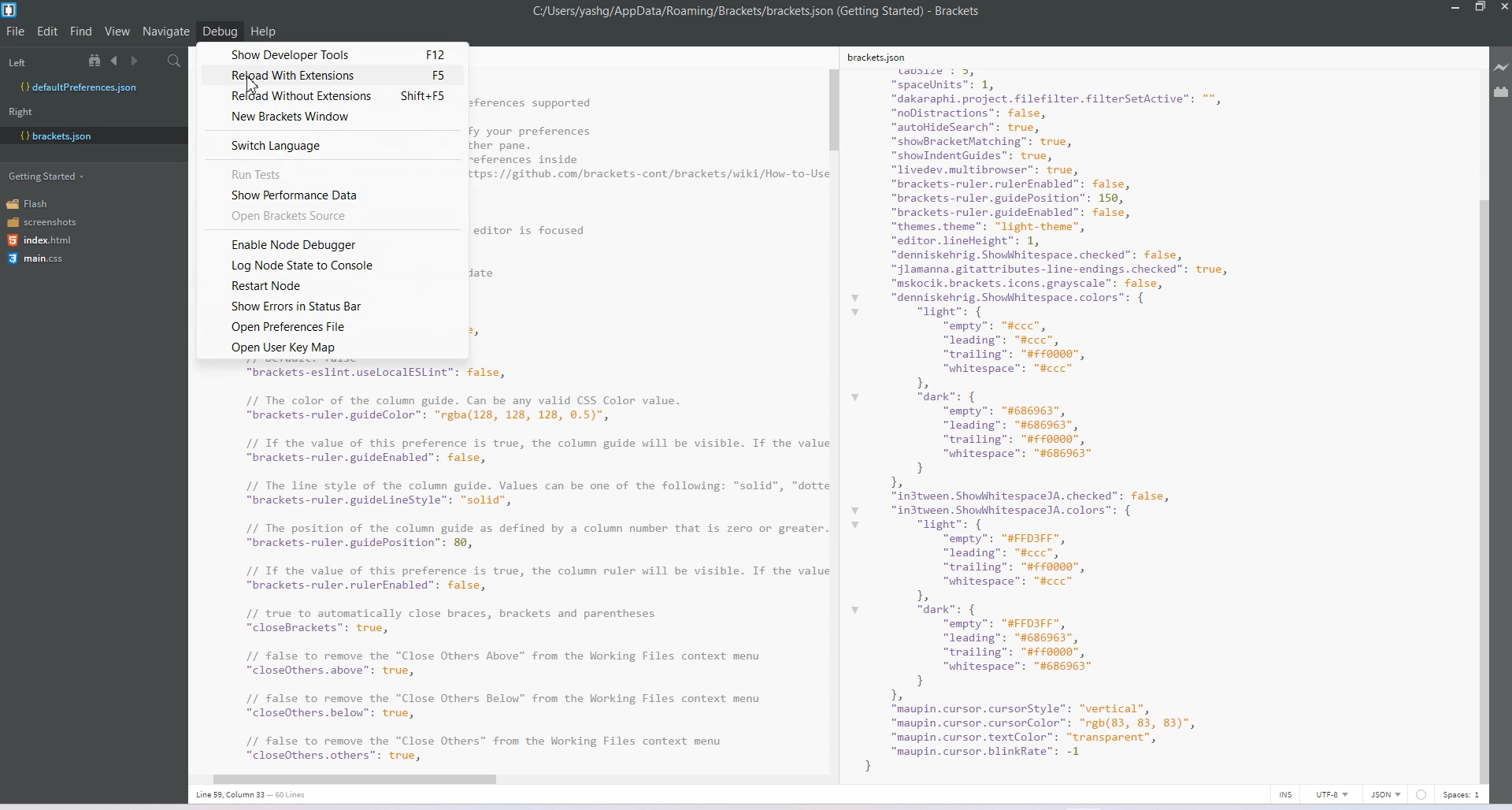  What do you see at coordinates (33, 203) in the screenshot?
I see `Flash` at bounding box center [33, 203].